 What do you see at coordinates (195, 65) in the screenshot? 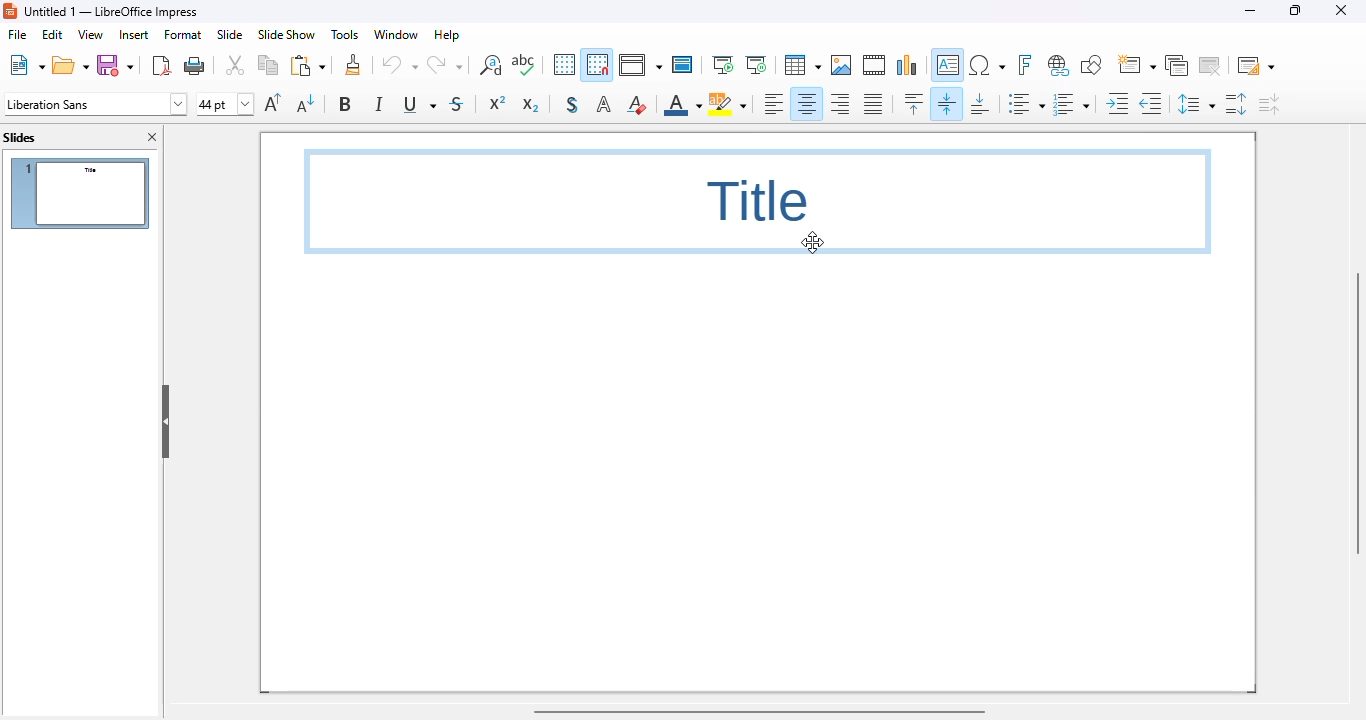
I see `print` at bounding box center [195, 65].